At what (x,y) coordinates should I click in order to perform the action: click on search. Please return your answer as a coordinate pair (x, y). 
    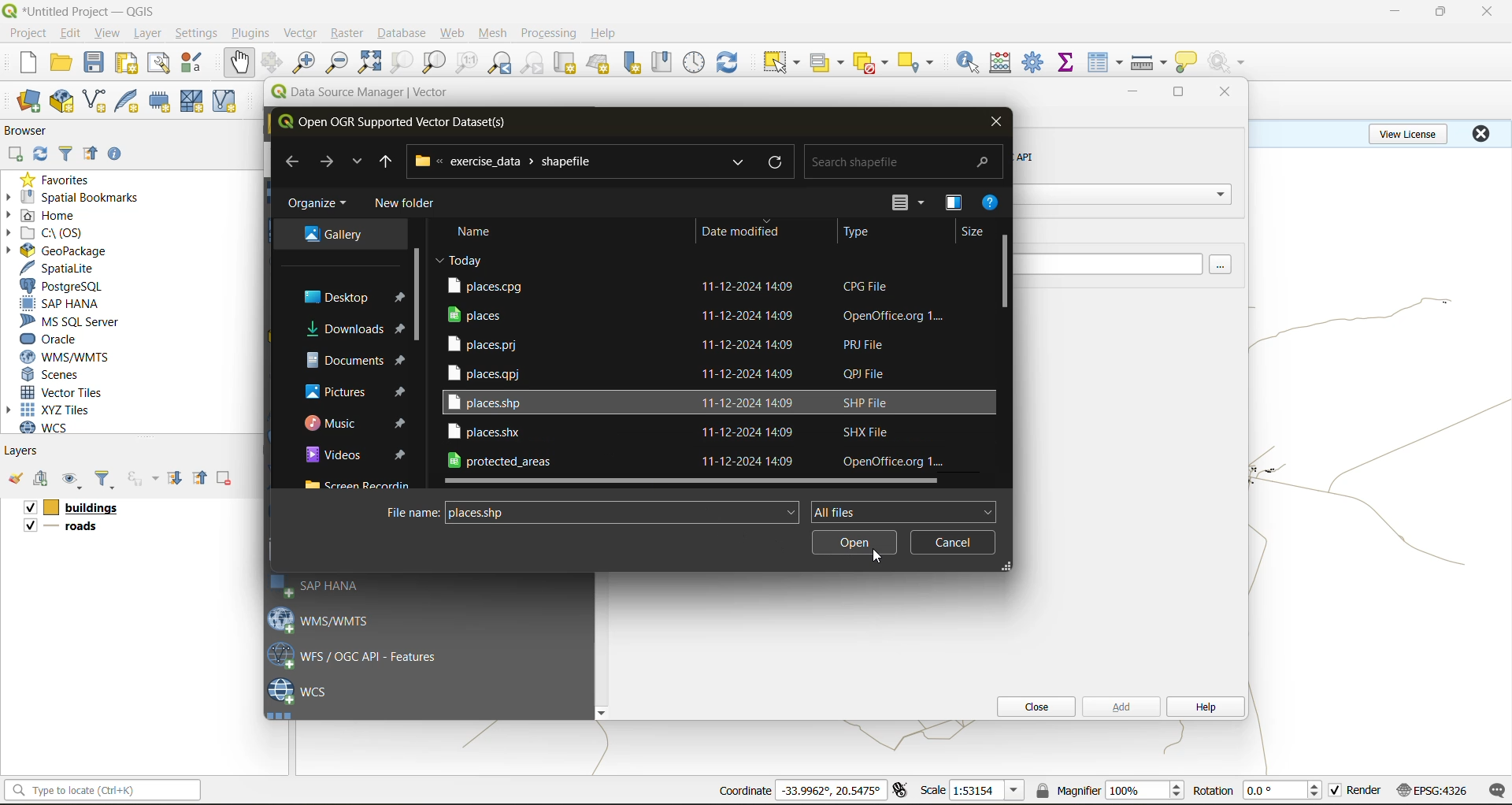
    Looking at the image, I should click on (906, 158).